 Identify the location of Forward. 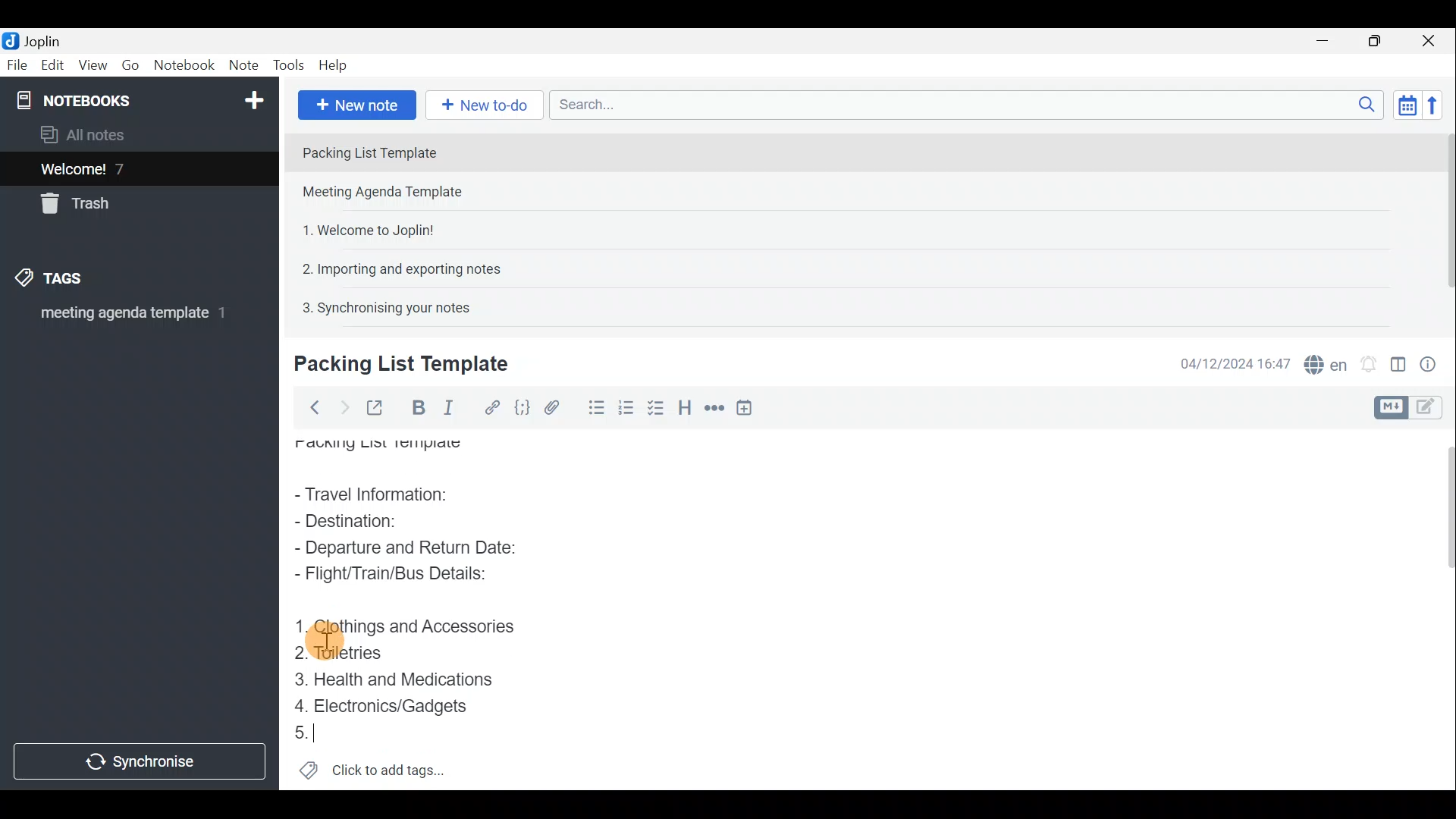
(341, 406).